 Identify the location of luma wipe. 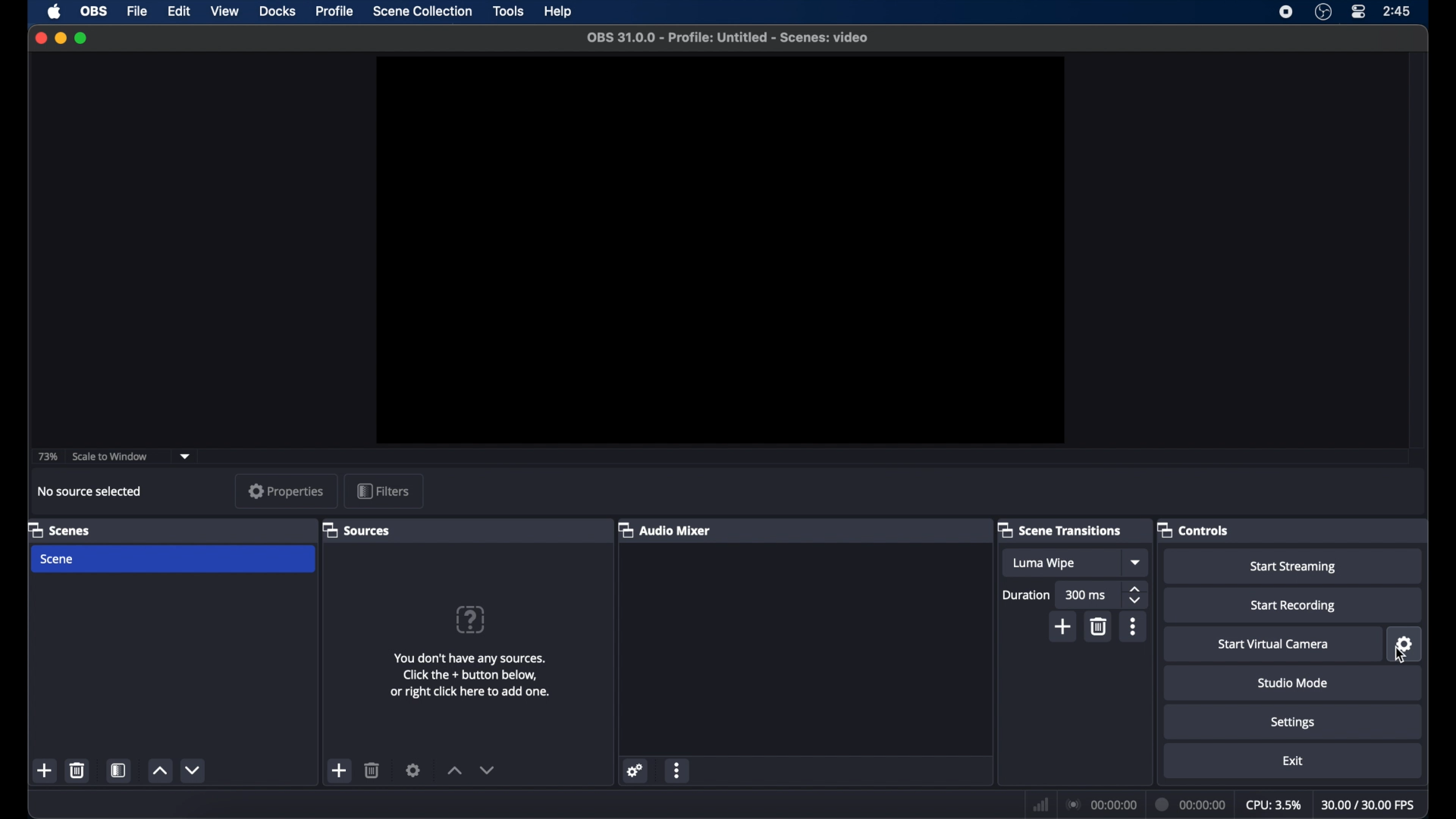
(1059, 563).